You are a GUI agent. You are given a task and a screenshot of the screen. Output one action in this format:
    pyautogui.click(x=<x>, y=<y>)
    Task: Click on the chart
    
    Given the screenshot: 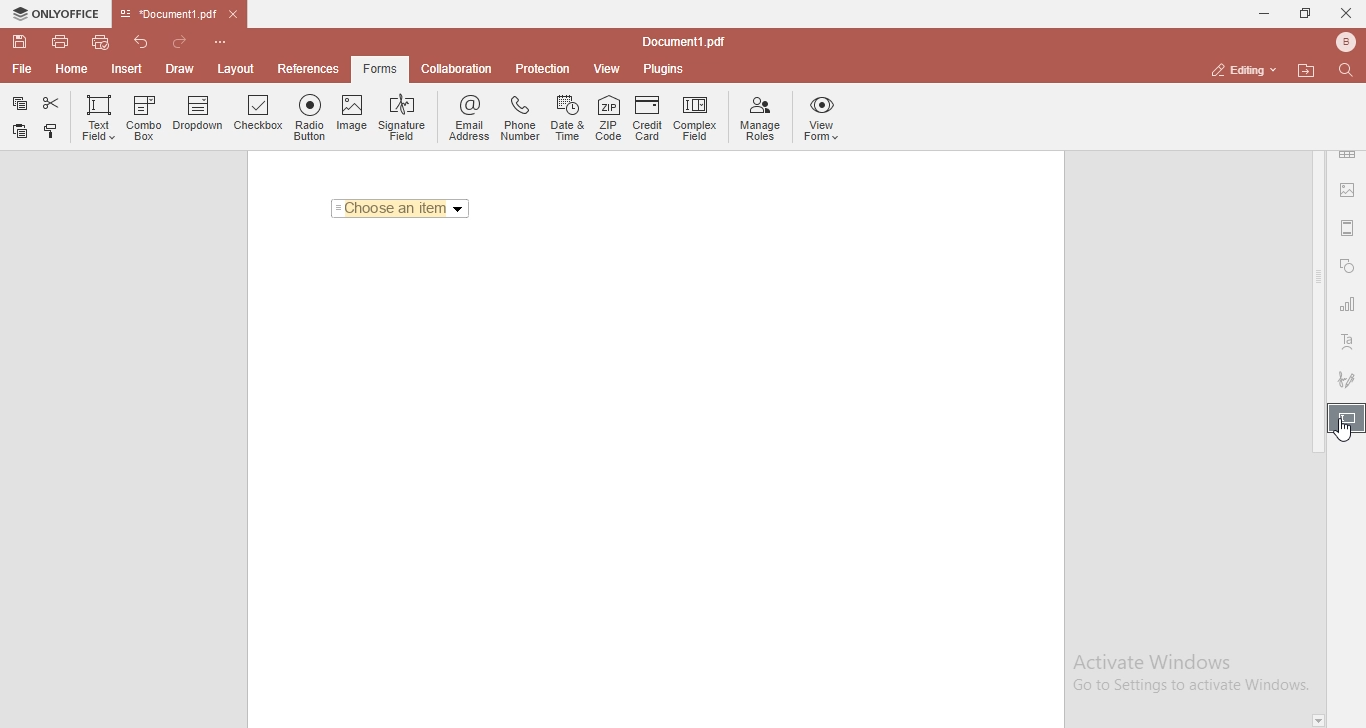 What is the action you would take?
    pyautogui.click(x=1348, y=308)
    